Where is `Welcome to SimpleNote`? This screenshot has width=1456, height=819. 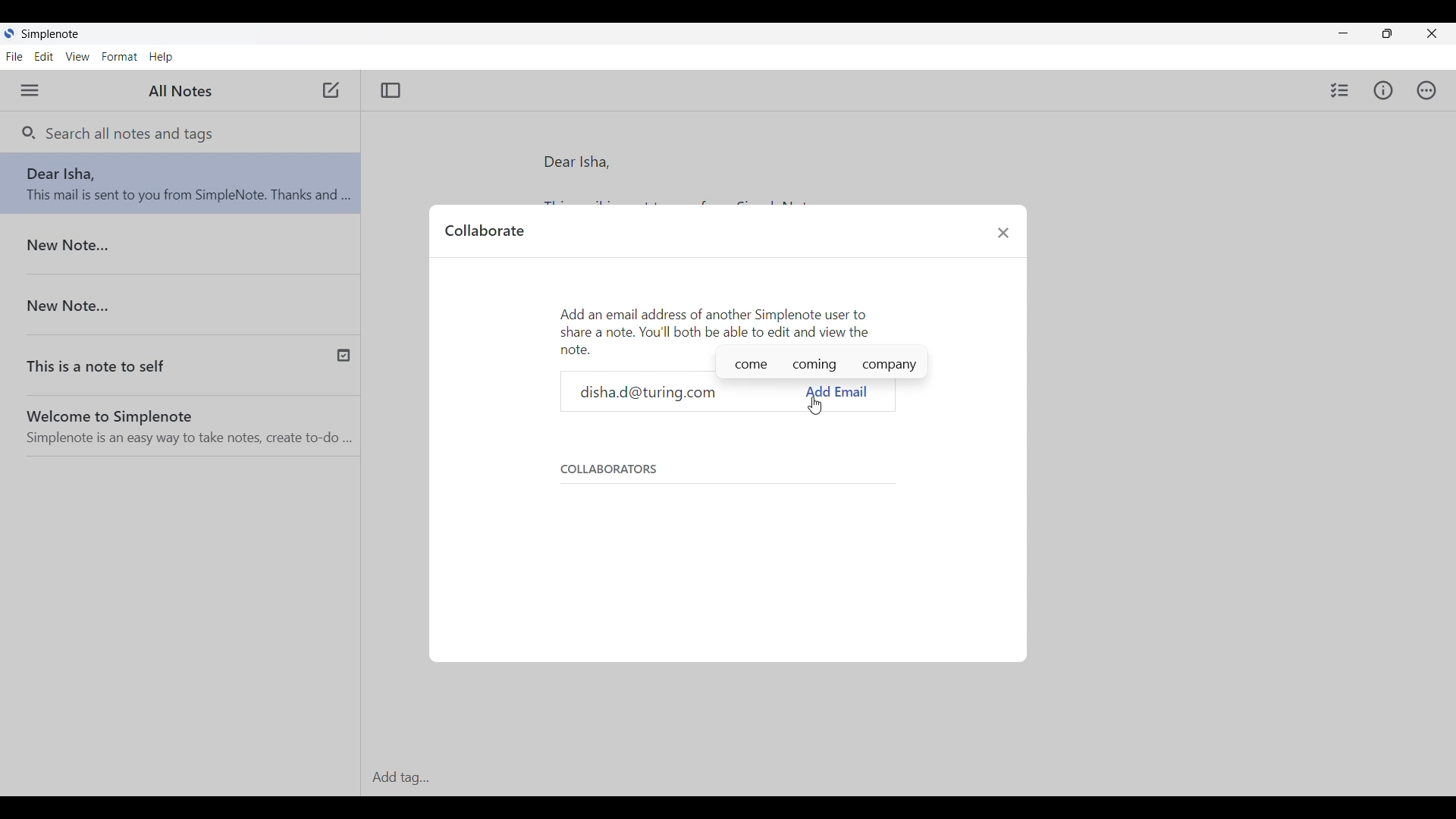 Welcome to SimpleNote is located at coordinates (186, 422).